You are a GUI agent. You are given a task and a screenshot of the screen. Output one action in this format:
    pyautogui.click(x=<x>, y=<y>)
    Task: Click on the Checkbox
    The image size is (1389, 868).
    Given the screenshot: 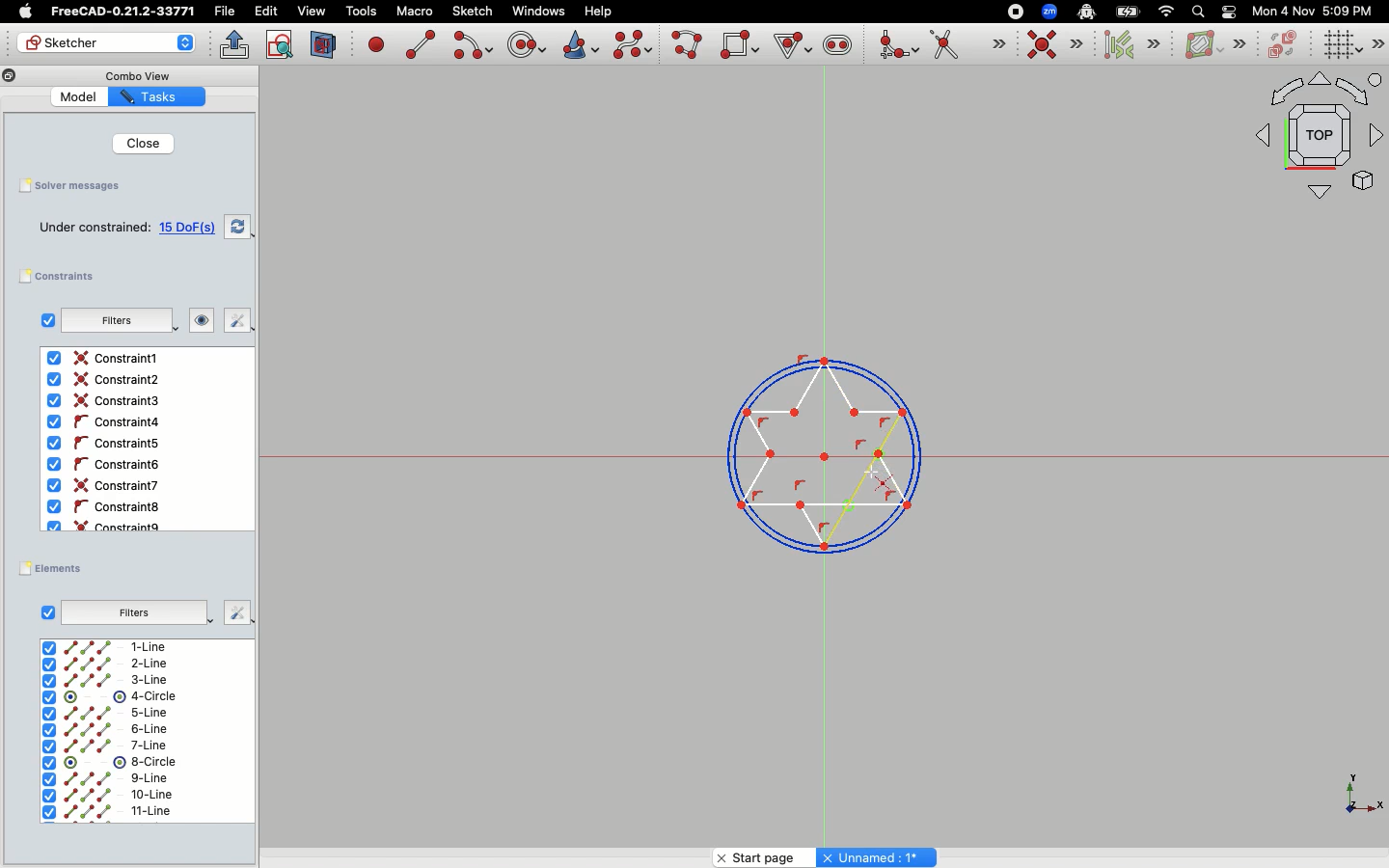 What is the action you would take?
    pyautogui.click(x=48, y=611)
    